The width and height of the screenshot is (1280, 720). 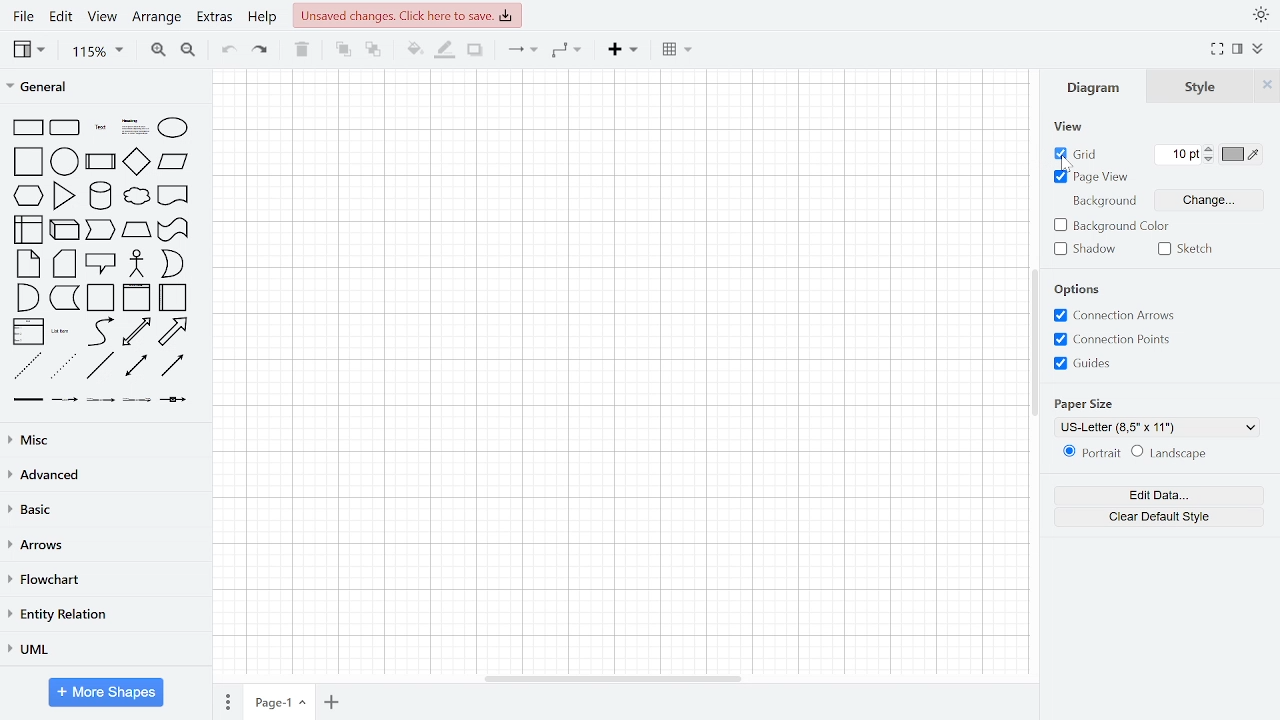 I want to click on clear default style, so click(x=1156, y=517).